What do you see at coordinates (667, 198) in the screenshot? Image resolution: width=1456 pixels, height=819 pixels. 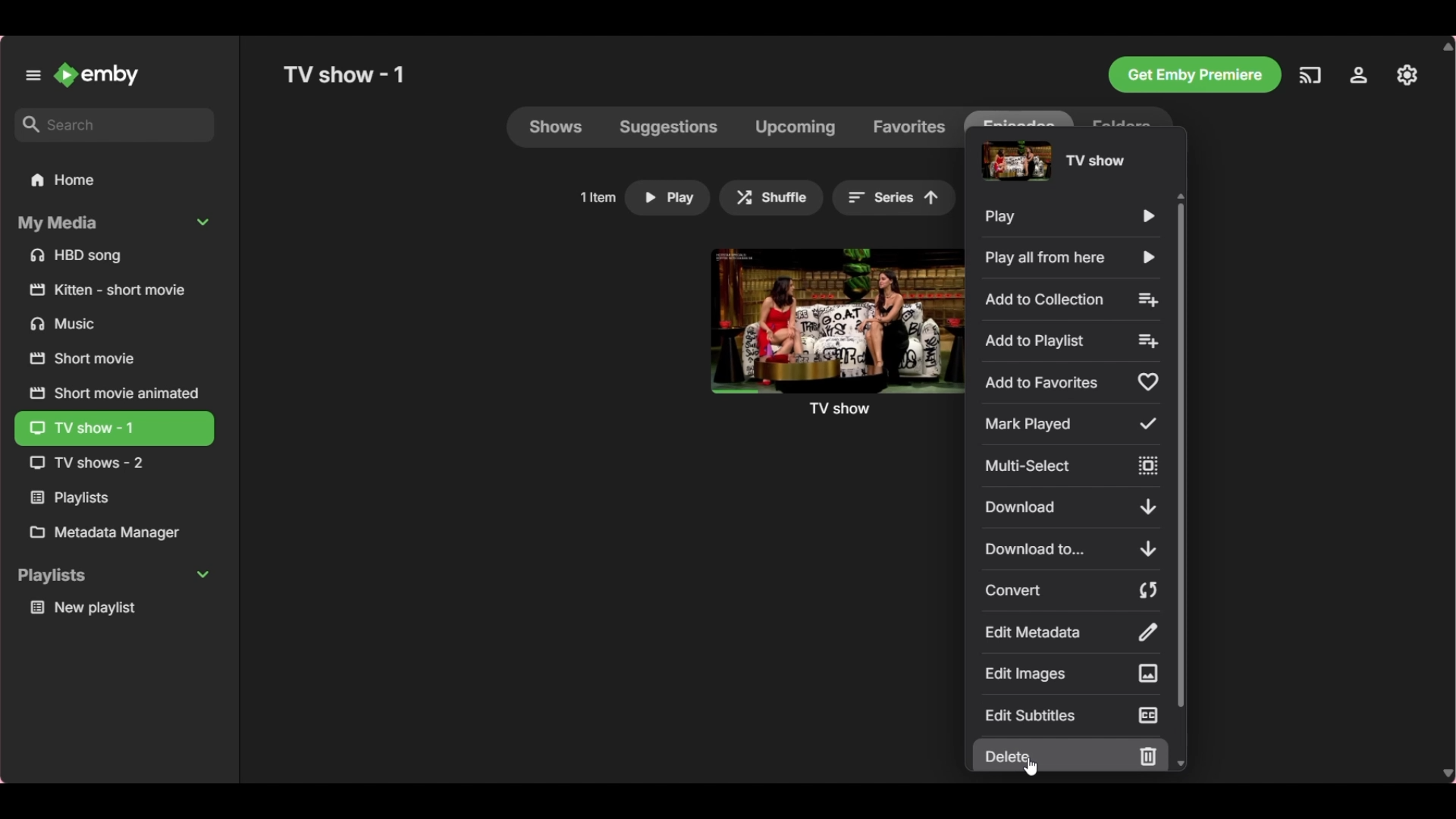 I see `Click to play selected episode` at bounding box center [667, 198].